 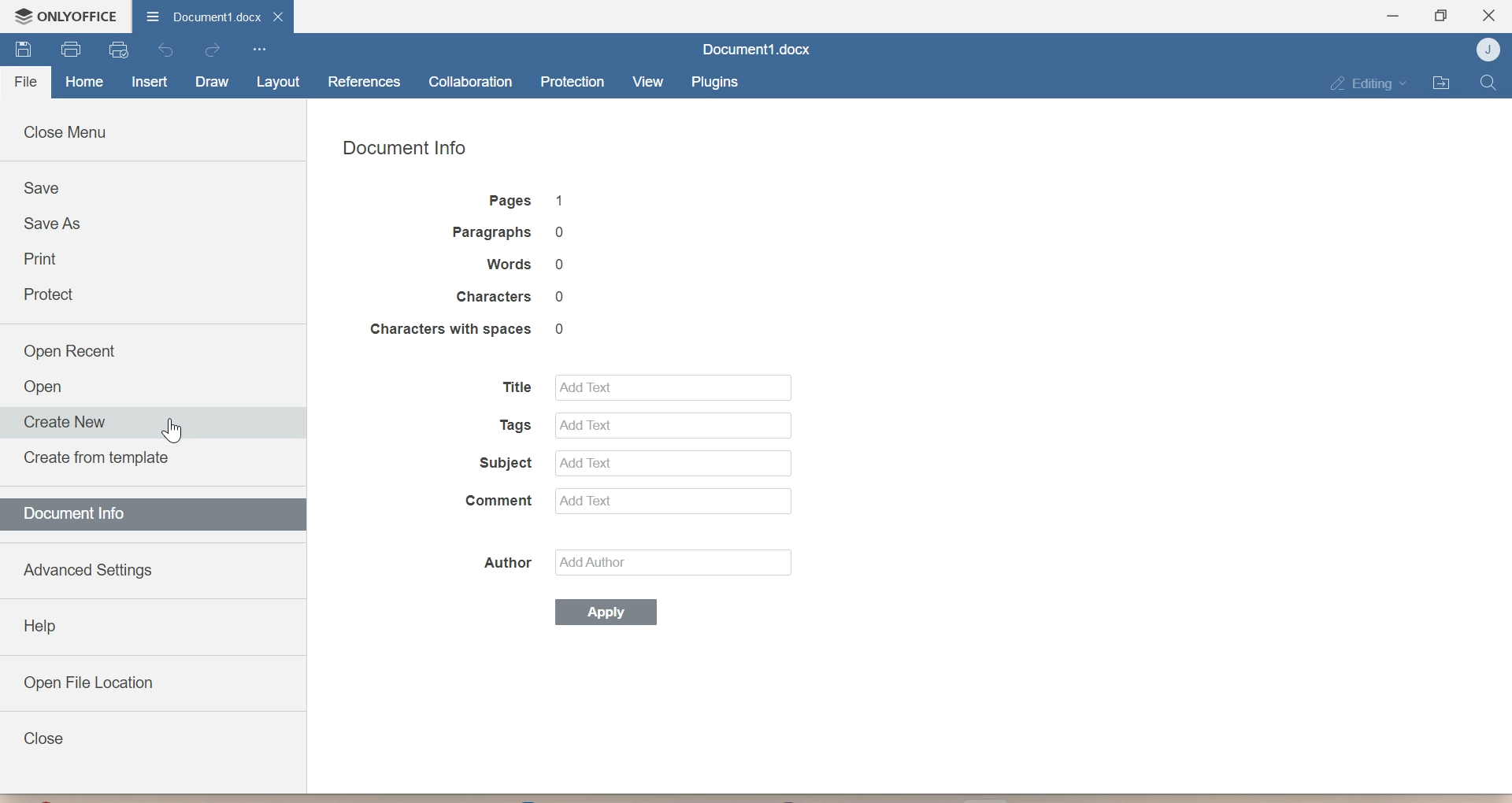 I want to click on Document info, so click(x=409, y=150).